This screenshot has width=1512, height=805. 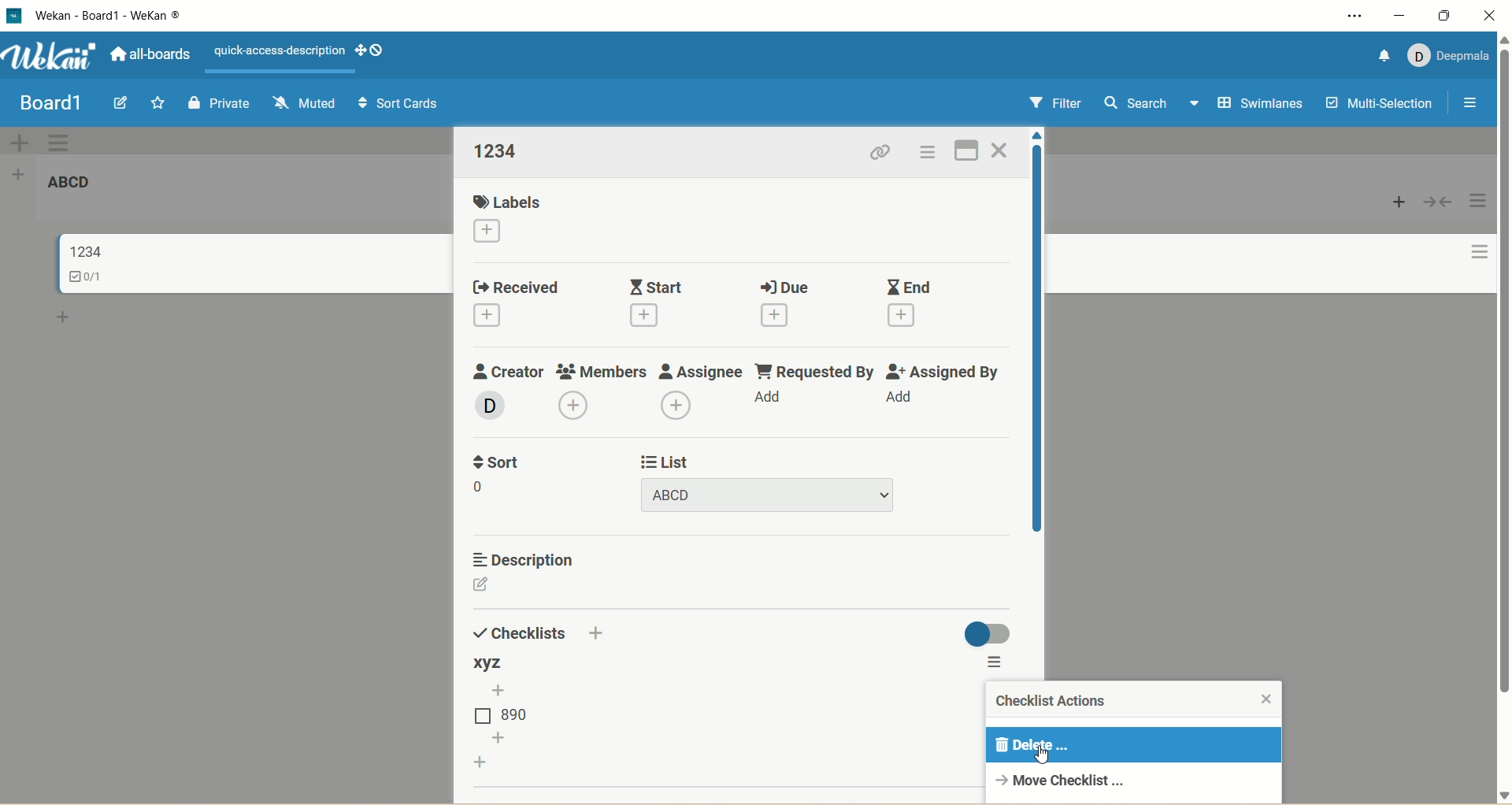 I want to click on wekan, so click(x=50, y=57).